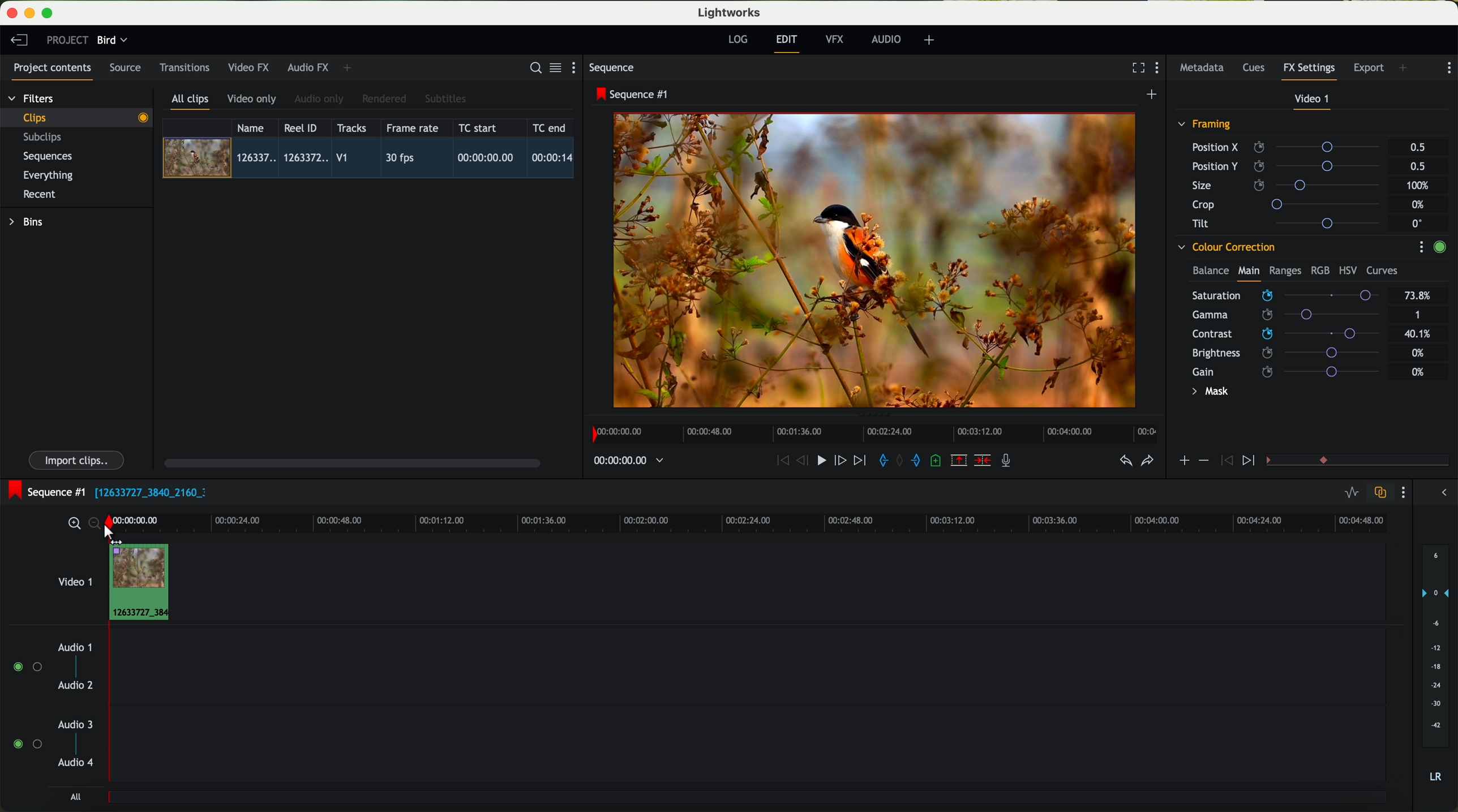 This screenshot has width=1458, height=812. Describe the element at coordinates (1421, 247) in the screenshot. I see `show settings menu` at that location.